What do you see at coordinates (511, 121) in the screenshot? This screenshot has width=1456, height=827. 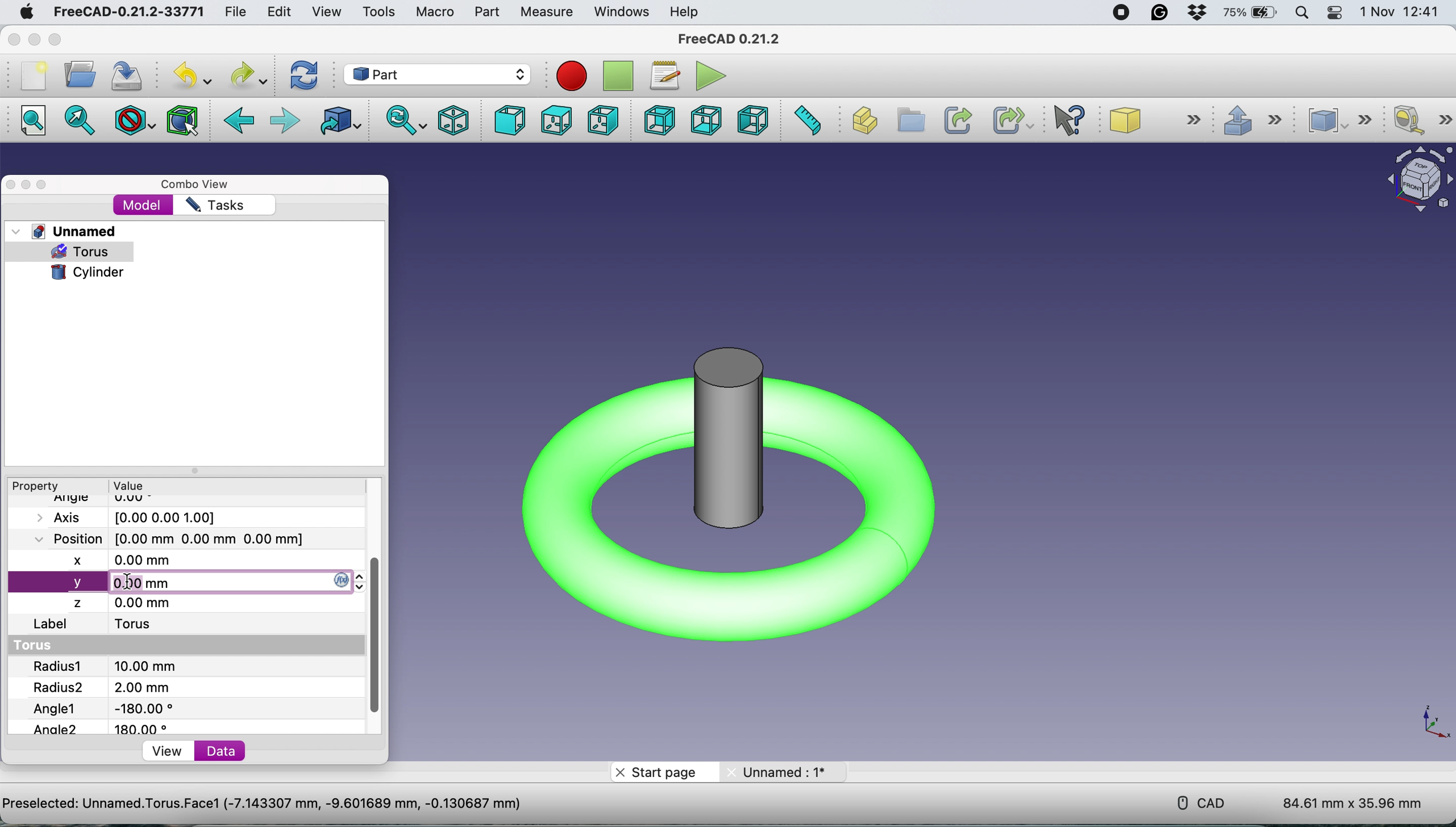 I see `front` at bounding box center [511, 121].